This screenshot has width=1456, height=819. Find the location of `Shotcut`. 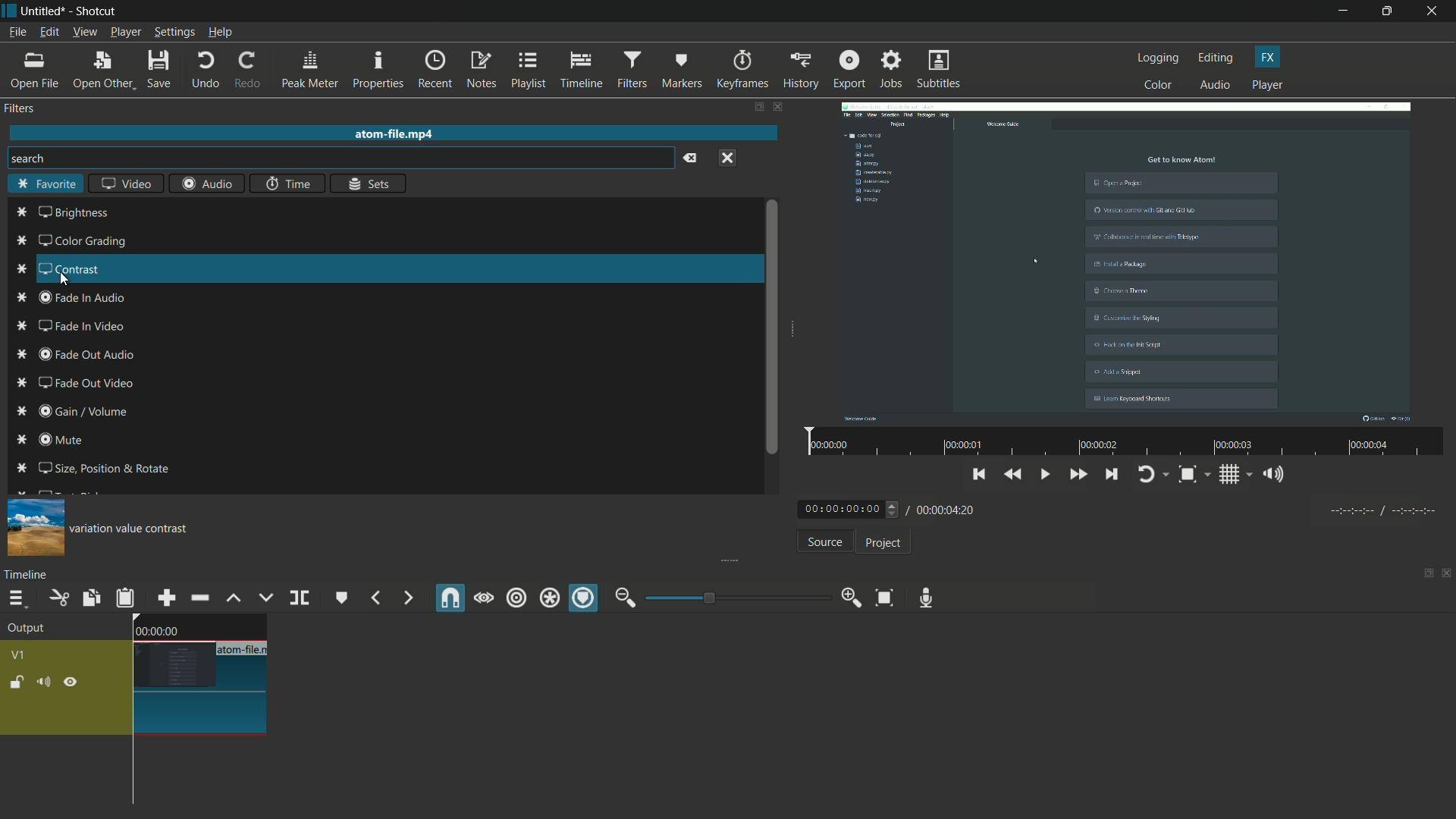

Shotcut is located at coordinates (97, 12).